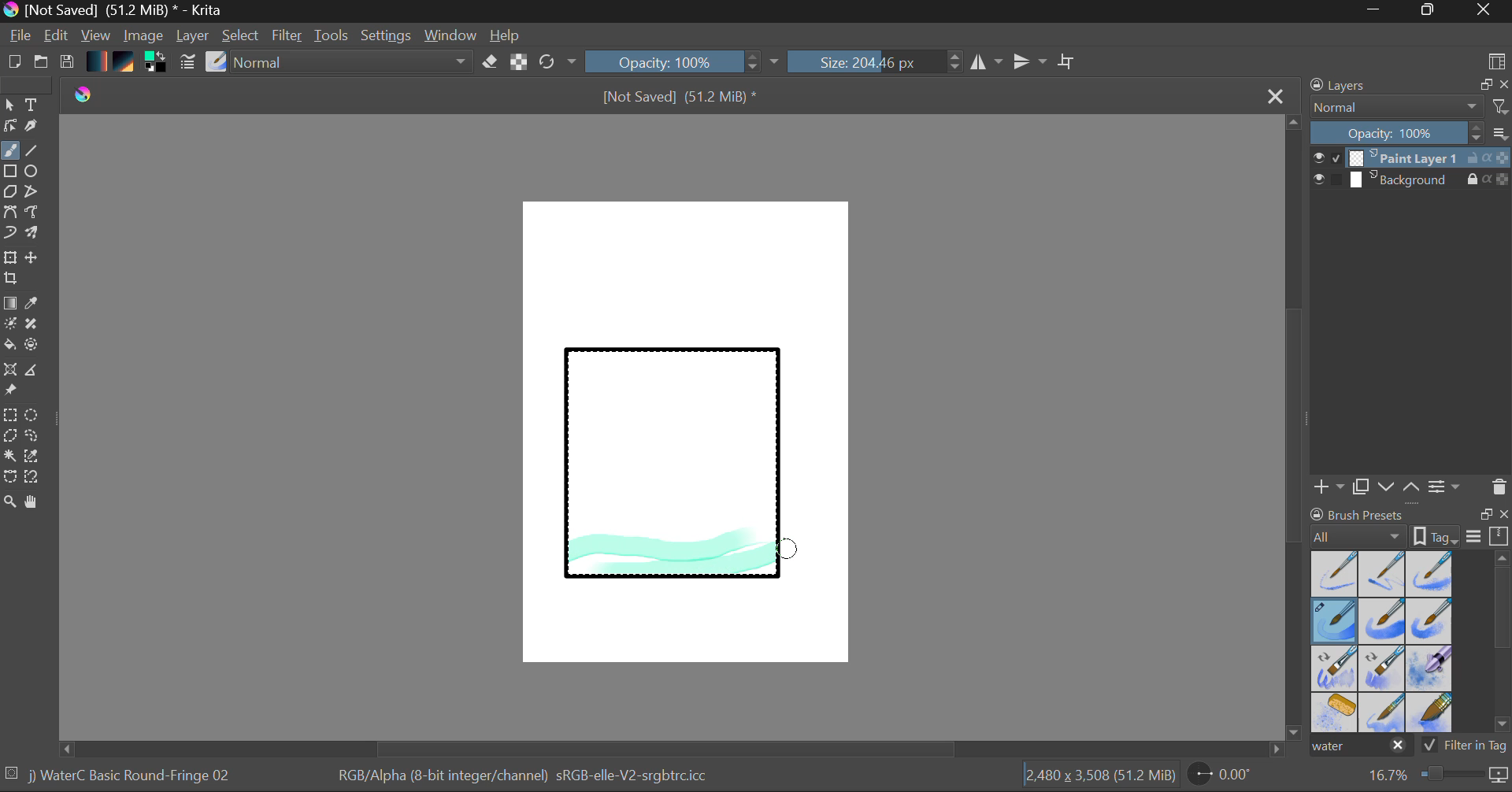 This screenshot has height=792, width=1512. What do you see at coordinates (876, 61) in the screenshot?
I see `Brush Size` at bounding box center [876, 61].